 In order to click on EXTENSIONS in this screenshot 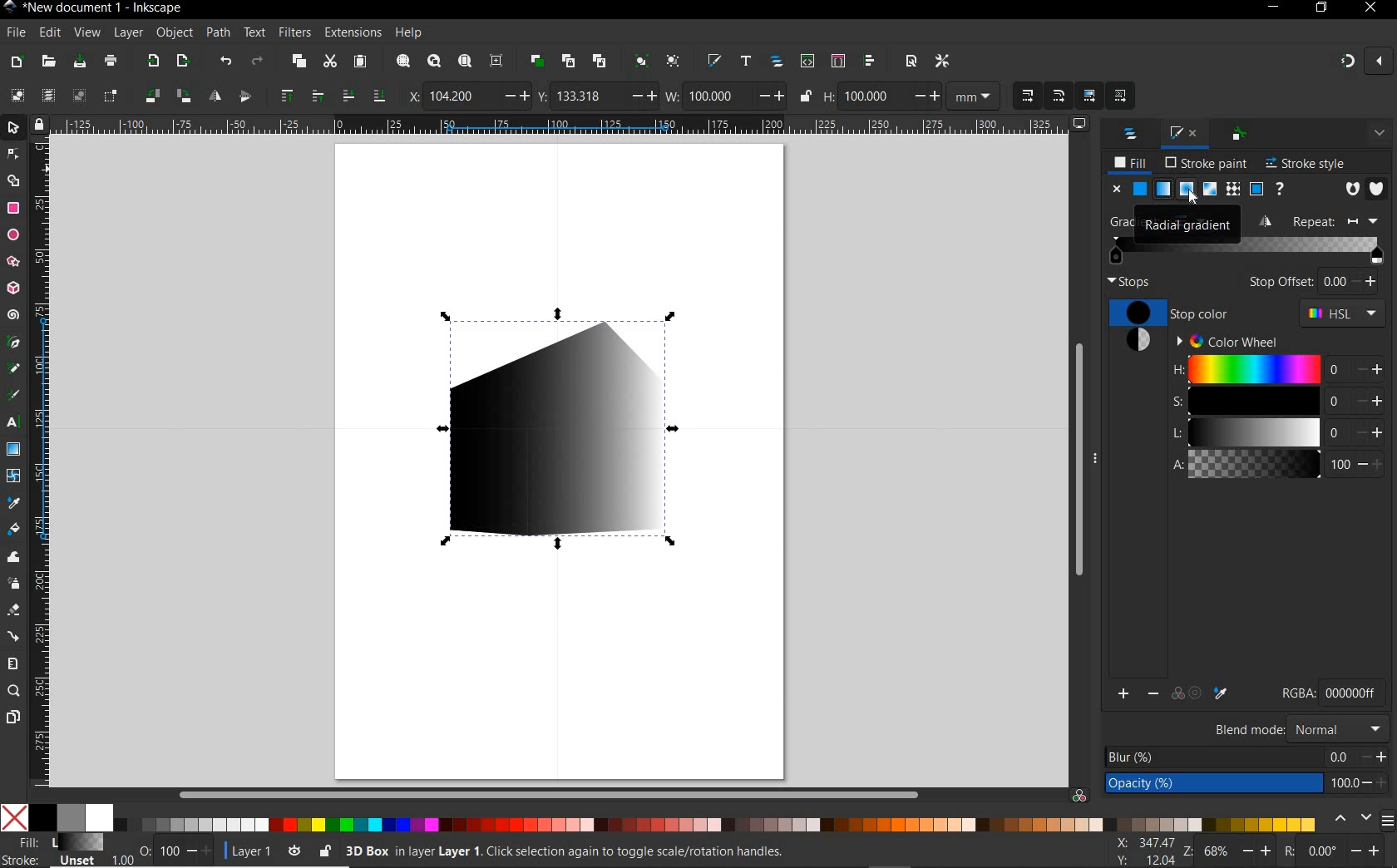, I will do `click(351, 33)`.